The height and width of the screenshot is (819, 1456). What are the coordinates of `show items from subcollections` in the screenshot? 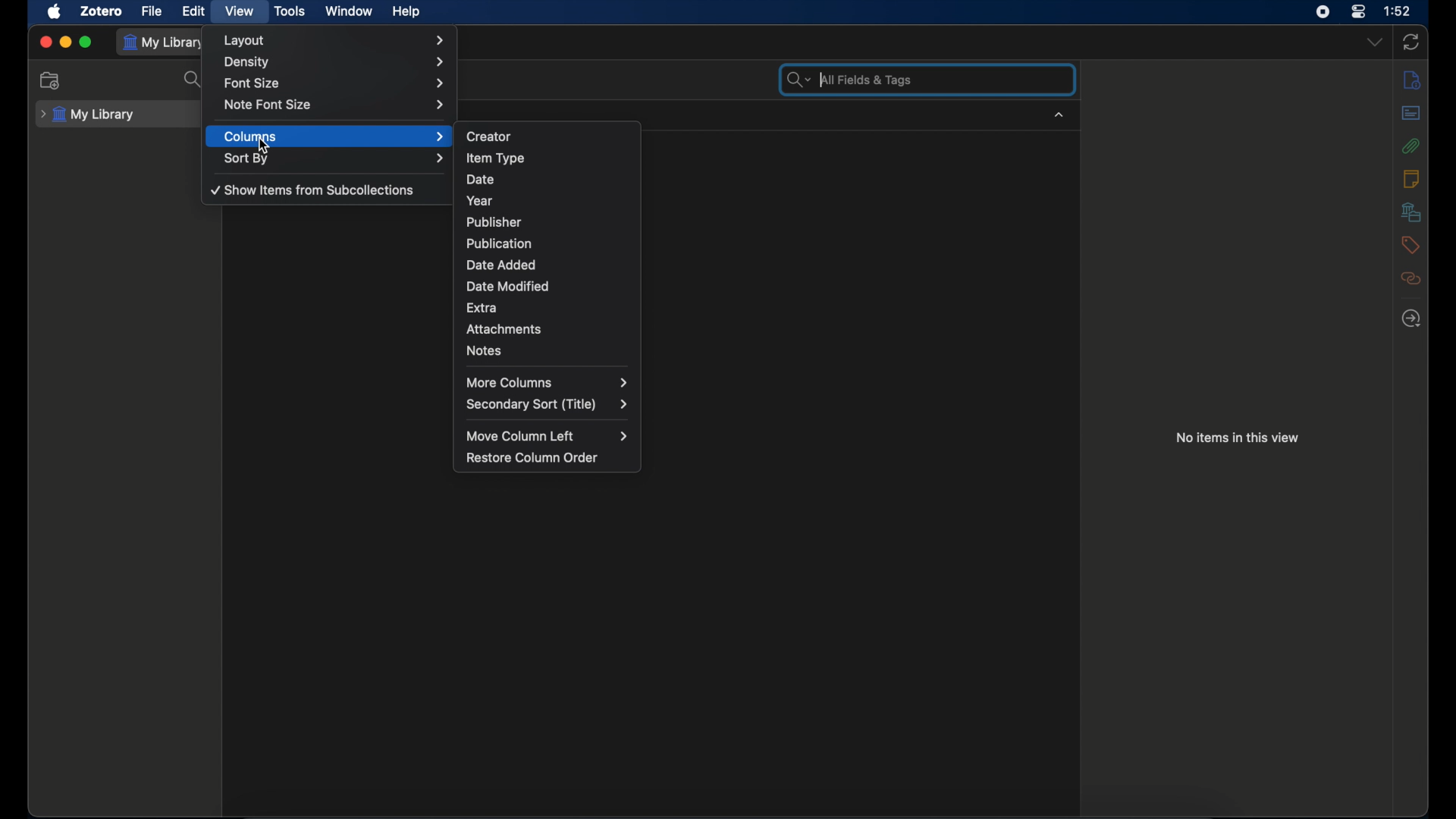 It's located at (312, 190).